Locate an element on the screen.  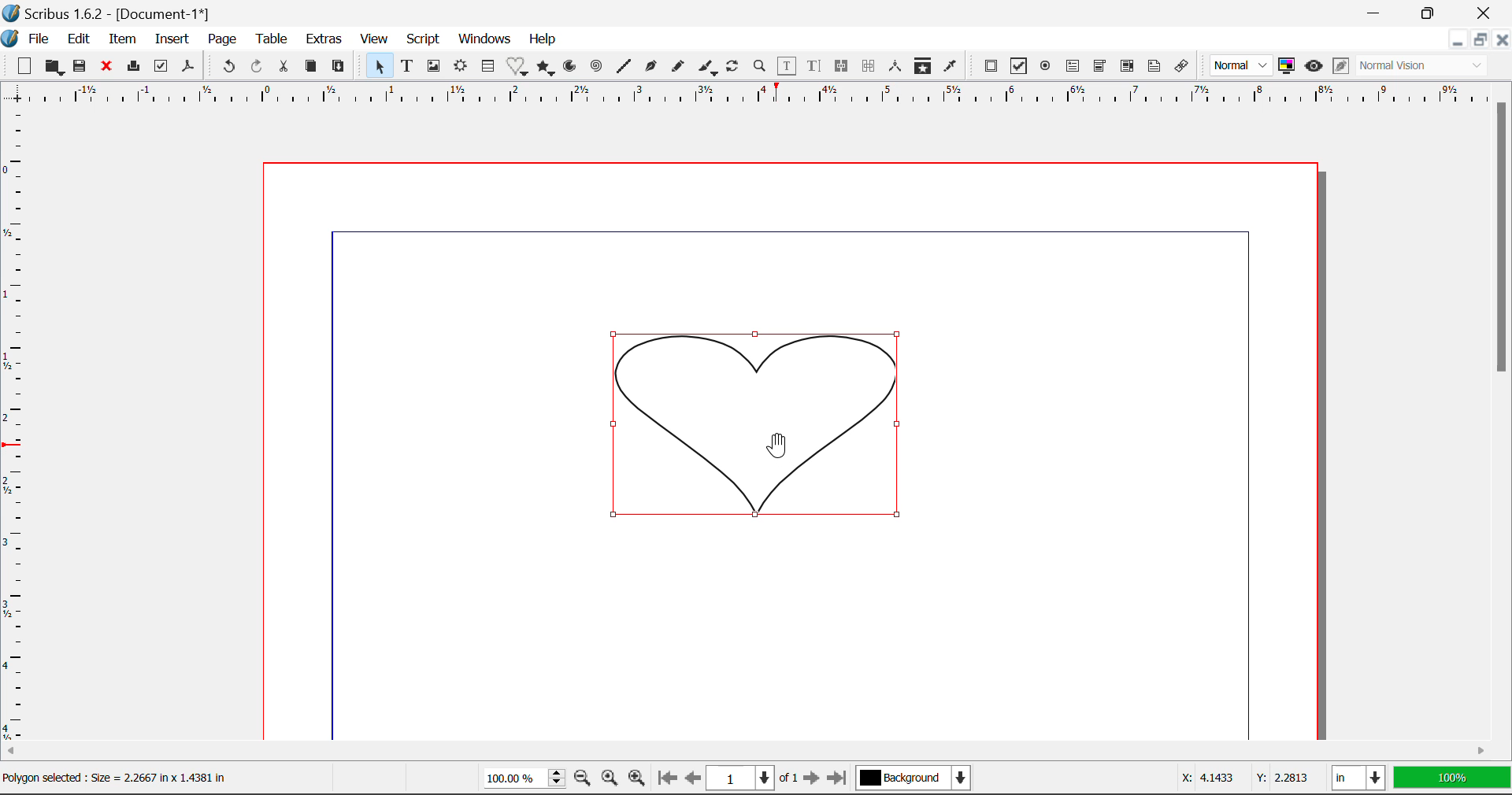
Table is located at coordinates (274, 39).